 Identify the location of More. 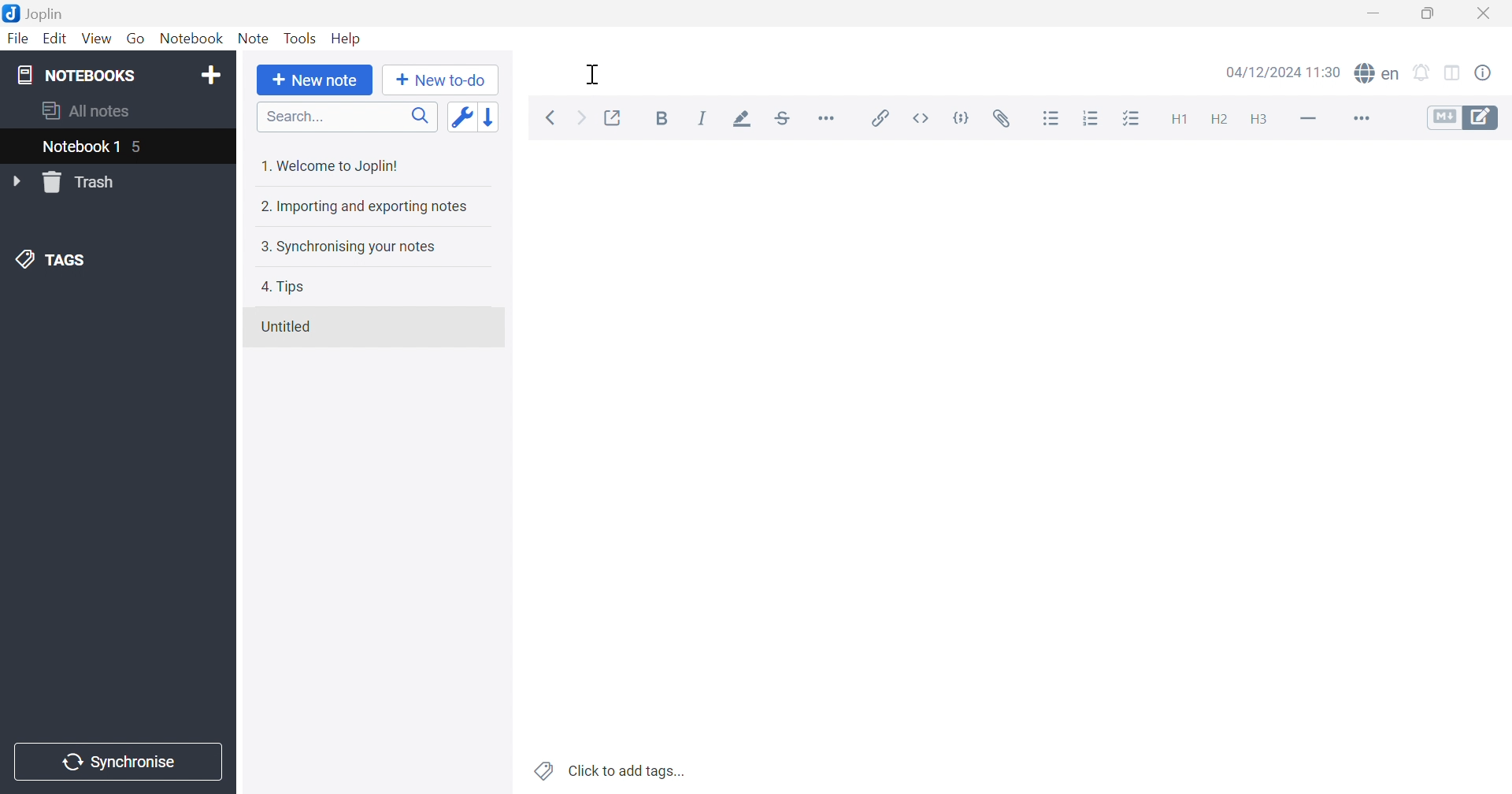
(1362, 121).